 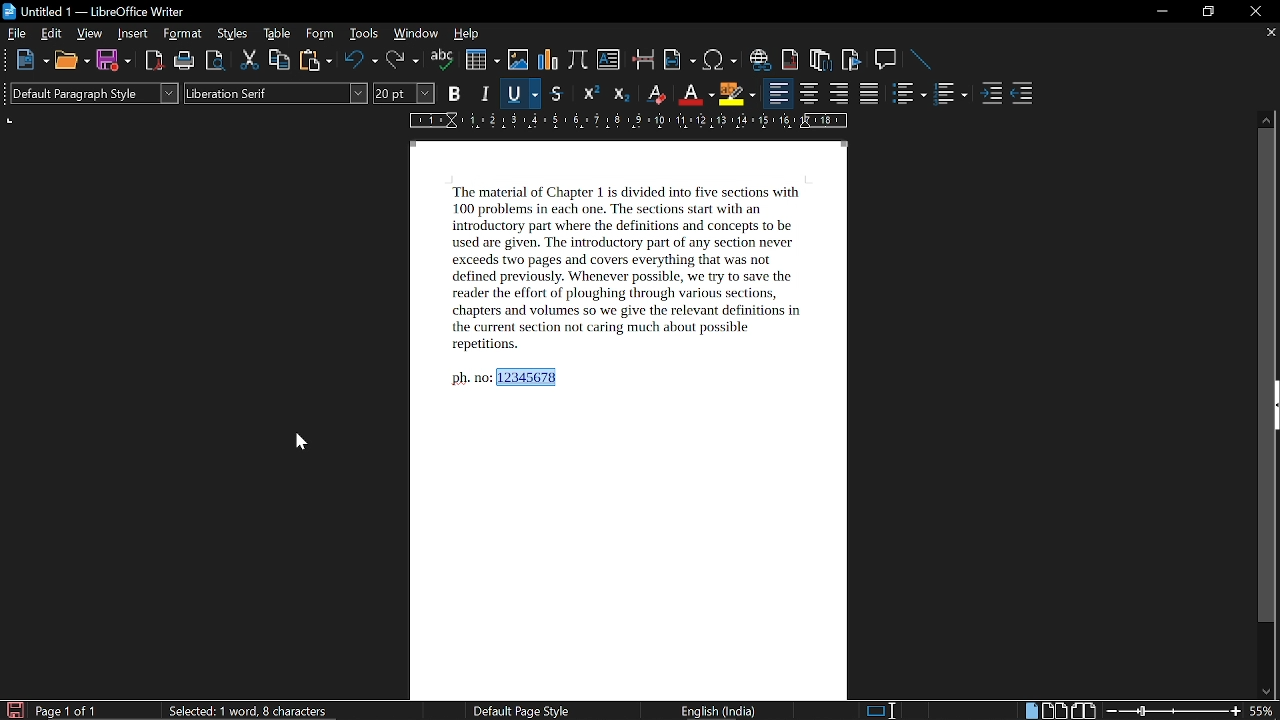 What do you see at coordinates (1030, 710) in the screenshot?
I see `single page view` at bounding box center [1030, 710].